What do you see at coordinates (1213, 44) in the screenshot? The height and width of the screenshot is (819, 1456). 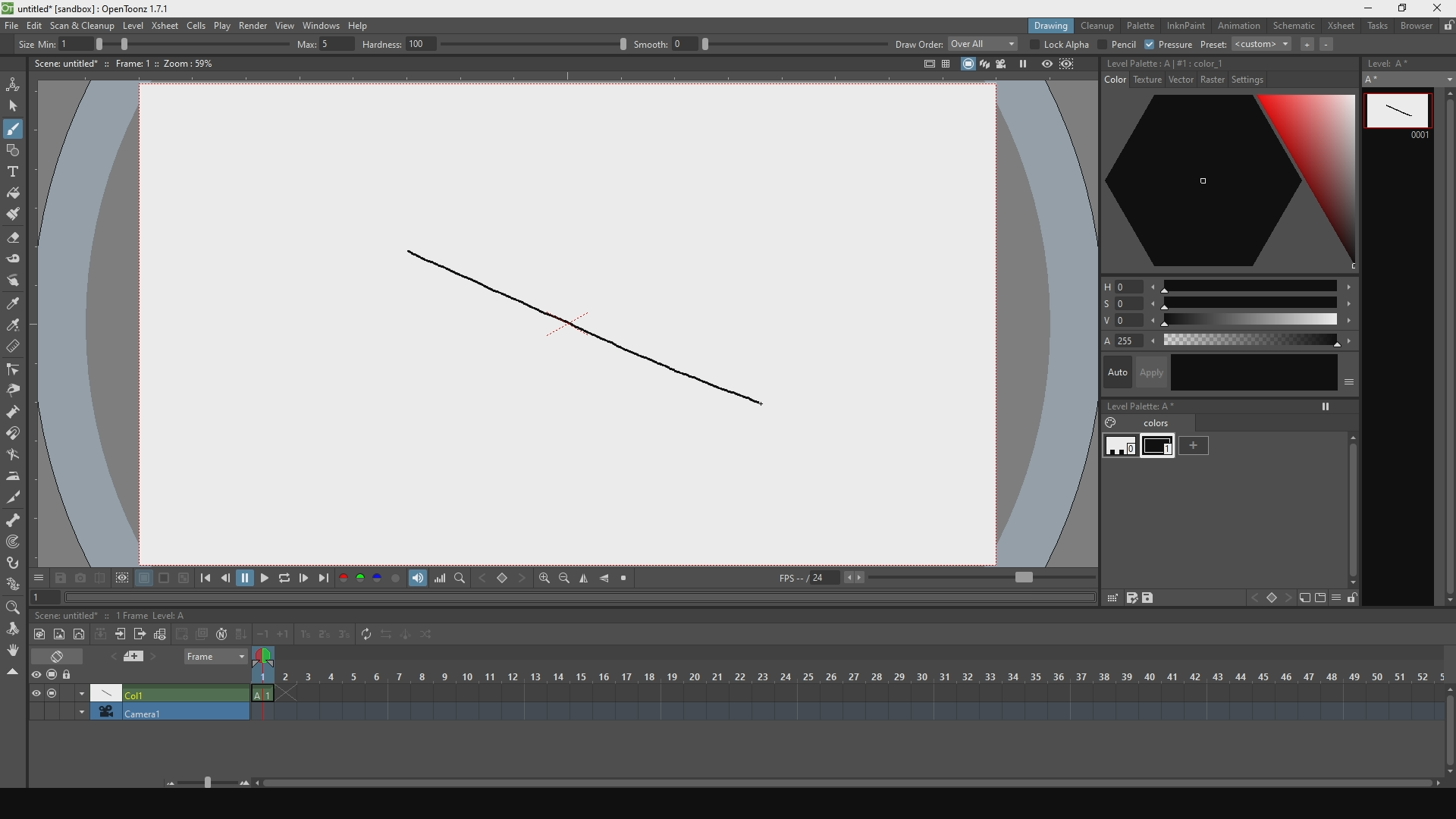 I see `preset` at bounding box center [1213, 44].